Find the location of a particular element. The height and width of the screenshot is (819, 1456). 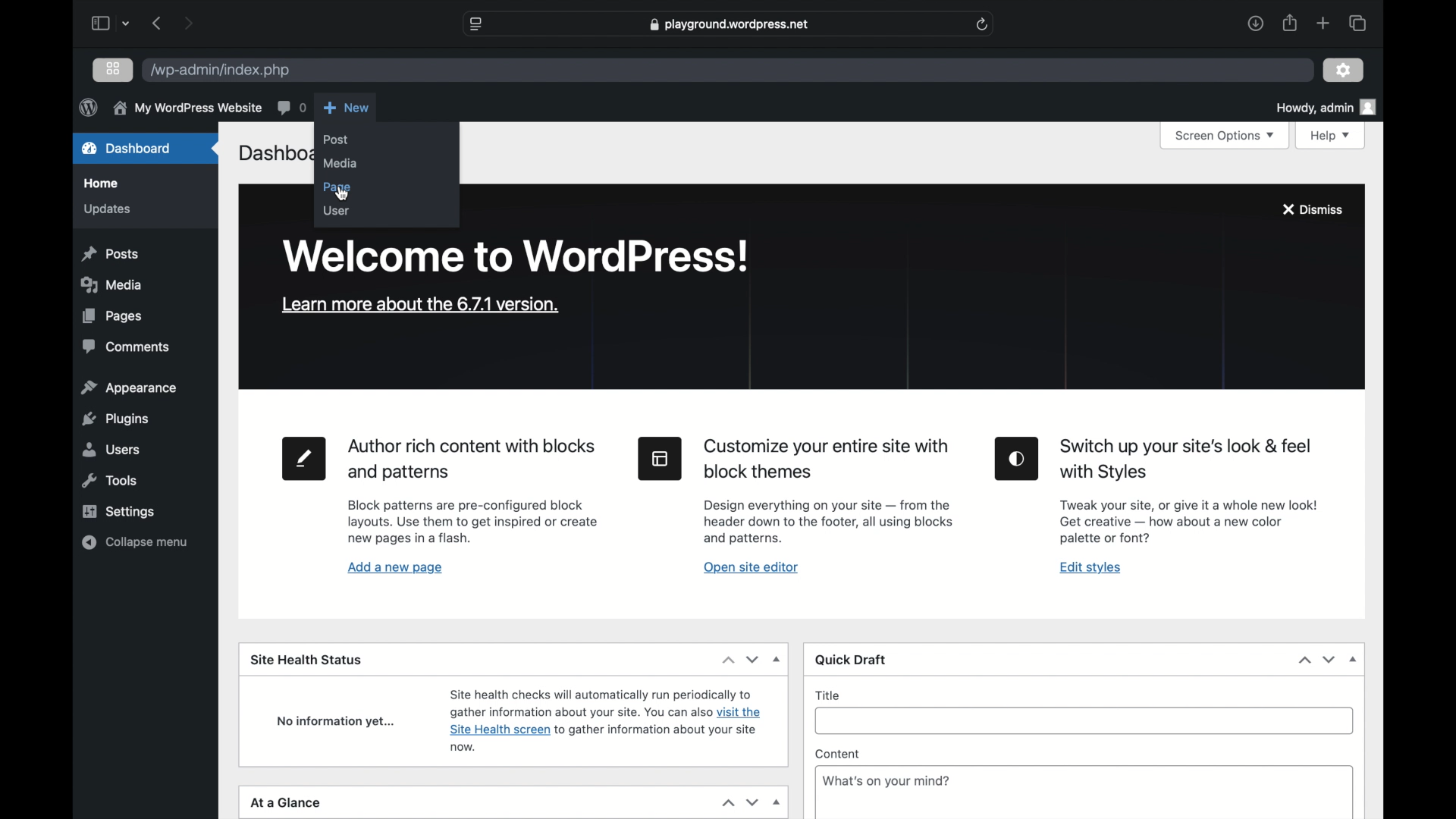

heading is located at coordinates (470, 460).